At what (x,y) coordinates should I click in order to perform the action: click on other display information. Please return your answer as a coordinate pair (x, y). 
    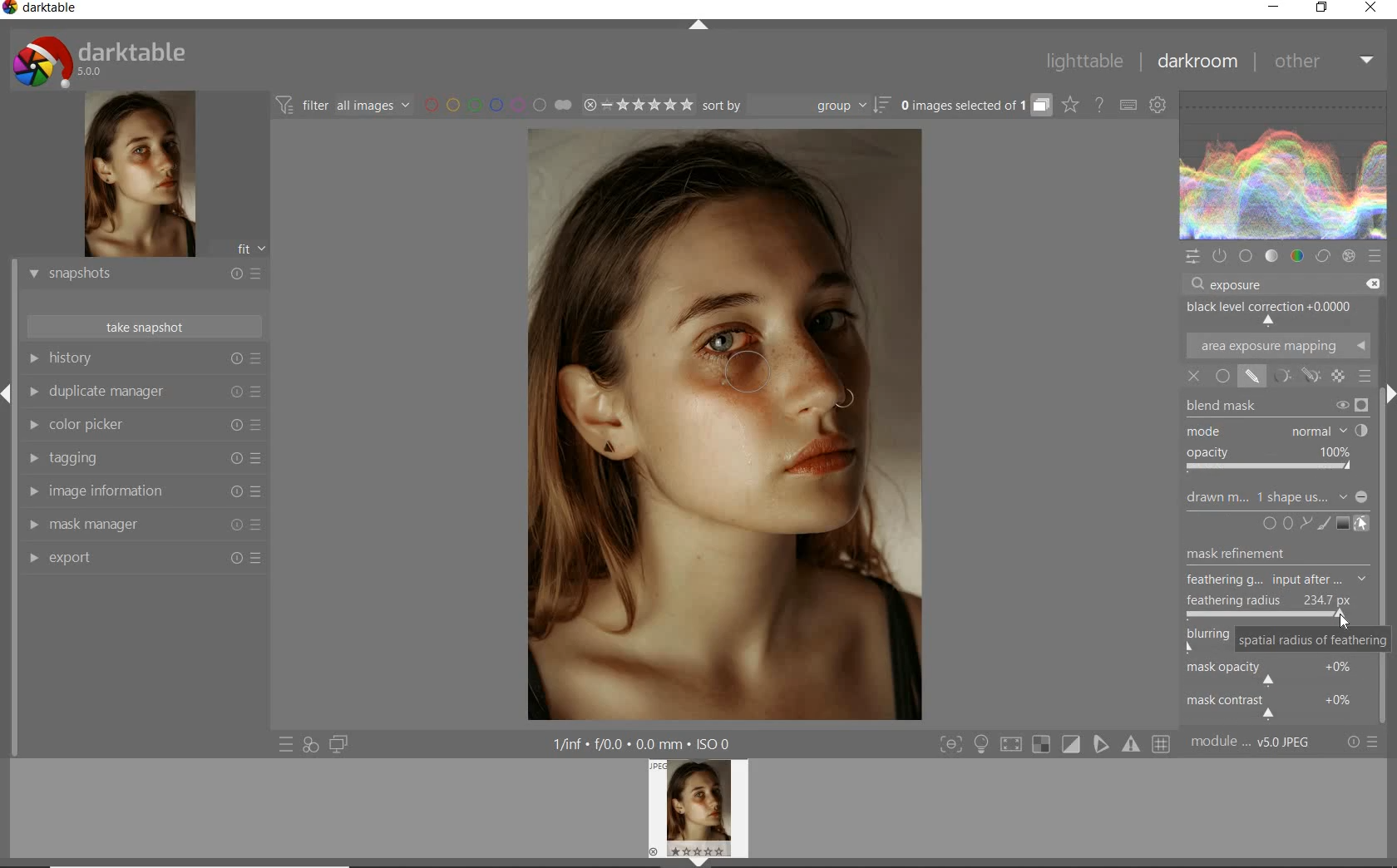
    Looking at the image, I should click on (644, 743).